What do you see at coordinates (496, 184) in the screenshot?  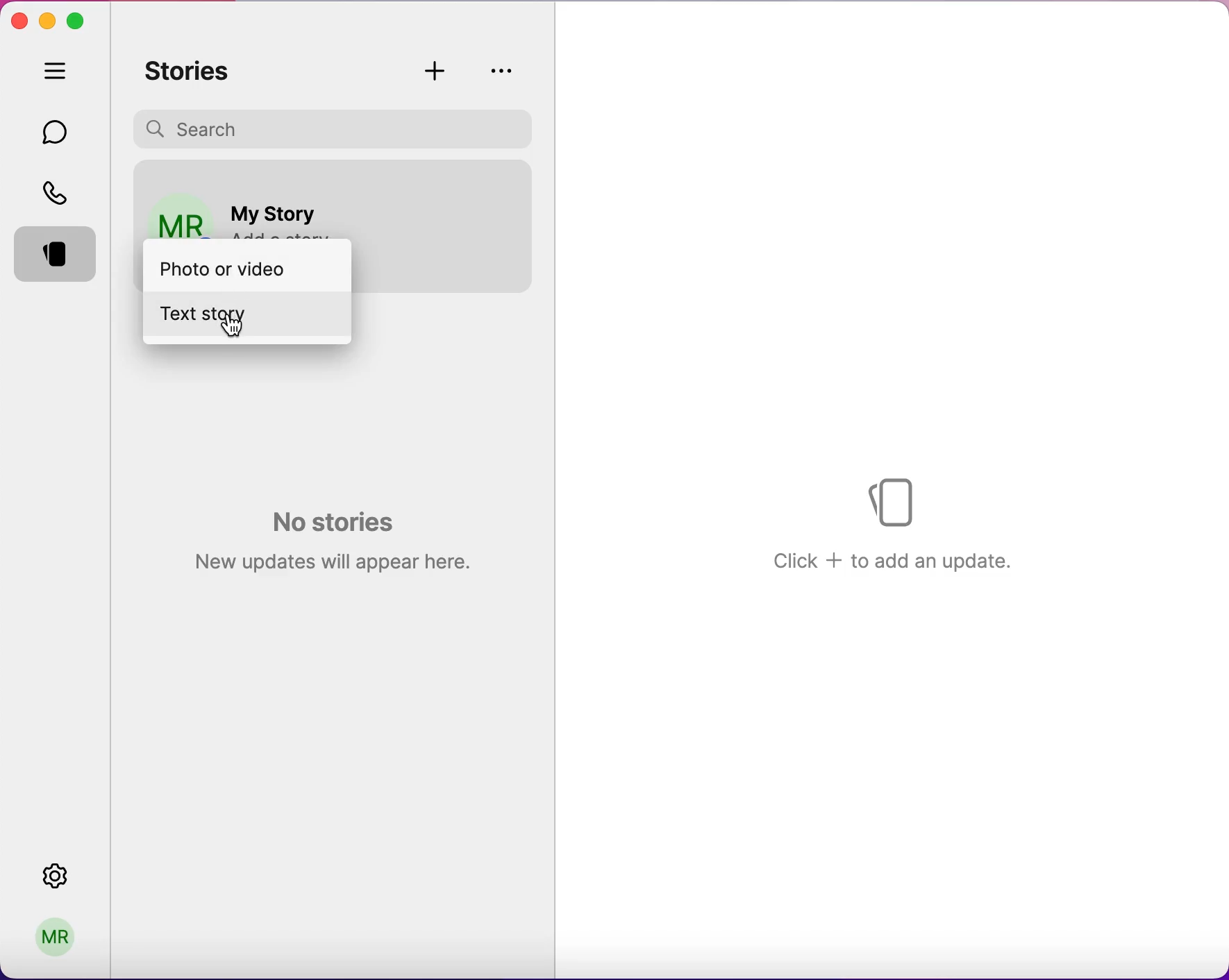 I see `52m` at bounding box center [496, 184].